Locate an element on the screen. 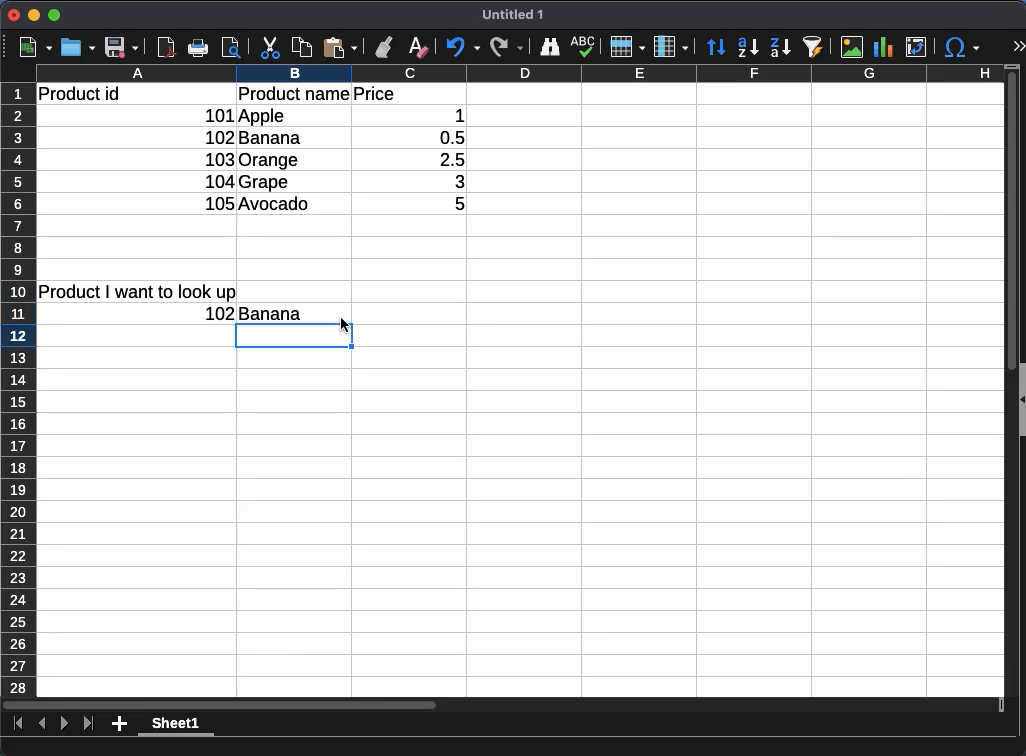 This screenshot has width=1026, height=756. 0.5 is located at coordinates (446, 138).